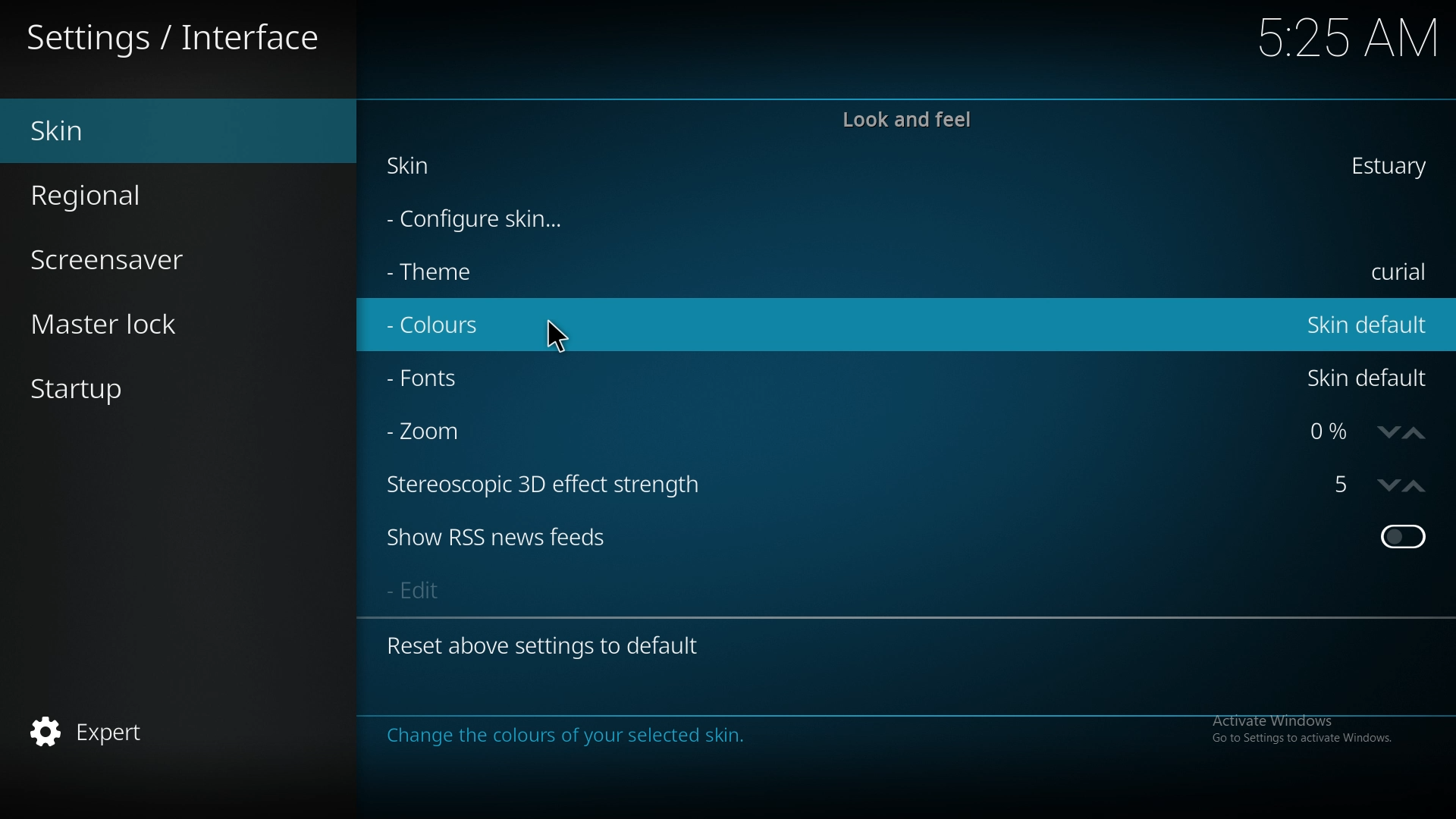 The height and width of the screenshot is (819, 1456). Describe the element at coordinates (1388, 430) in the screenshot. I see `decrease zoom` at that location.